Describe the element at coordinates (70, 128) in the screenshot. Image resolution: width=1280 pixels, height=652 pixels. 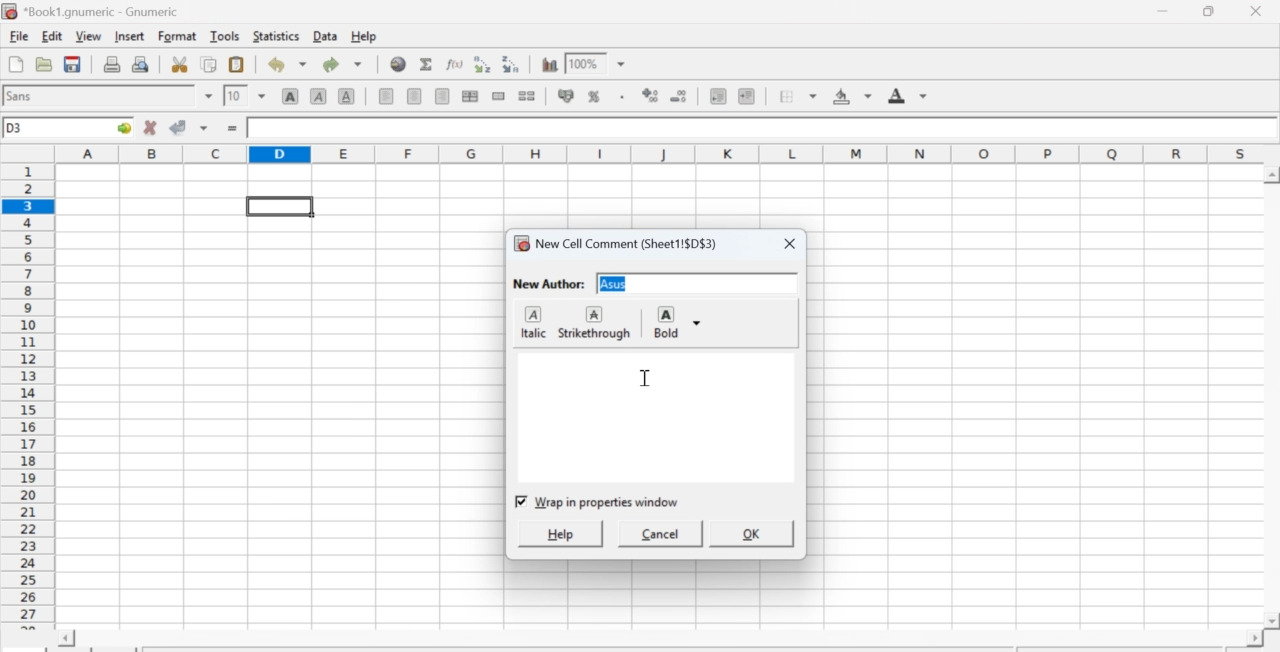
I see `Active cell` at that location.